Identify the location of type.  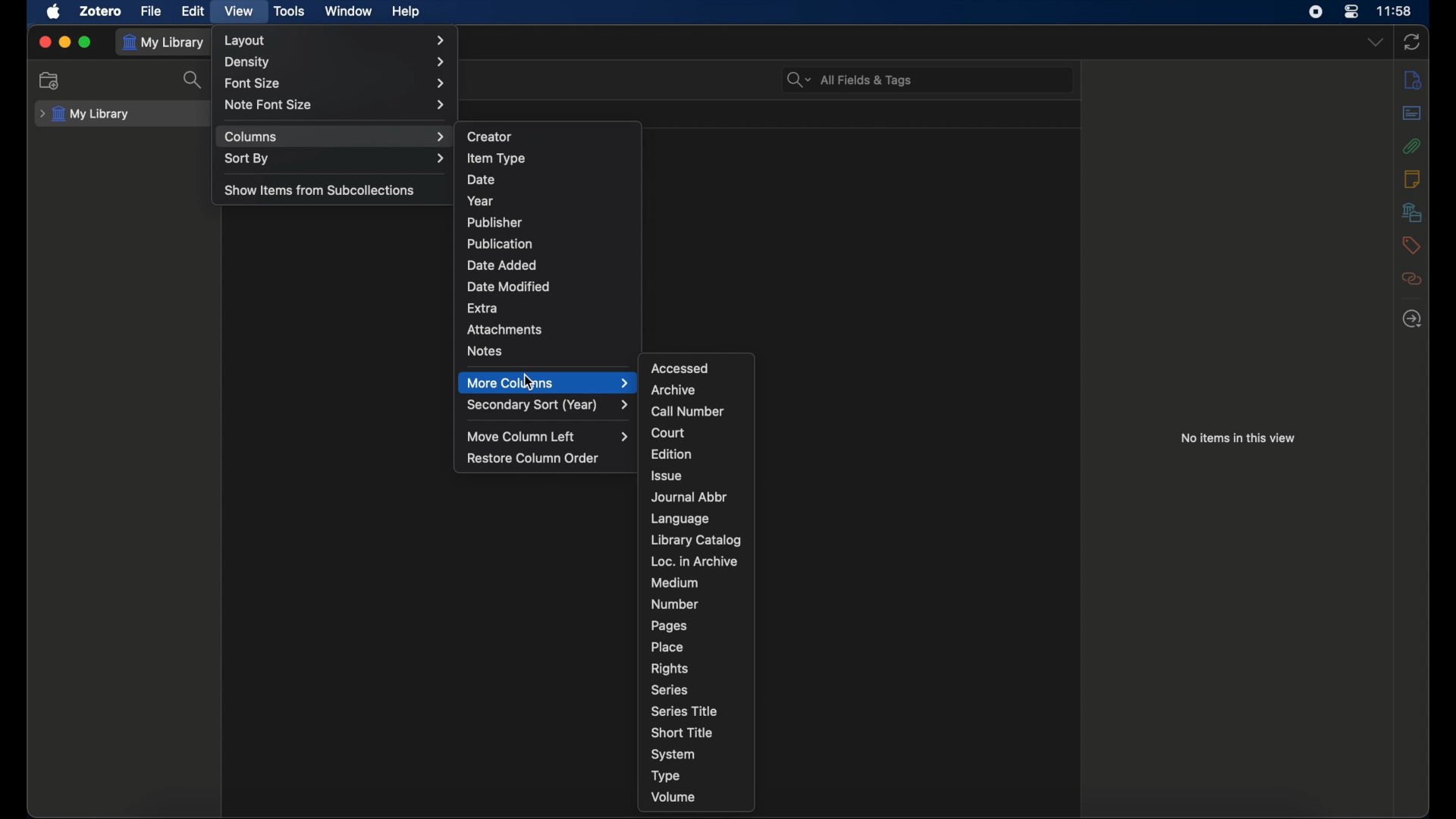
(666, 777).